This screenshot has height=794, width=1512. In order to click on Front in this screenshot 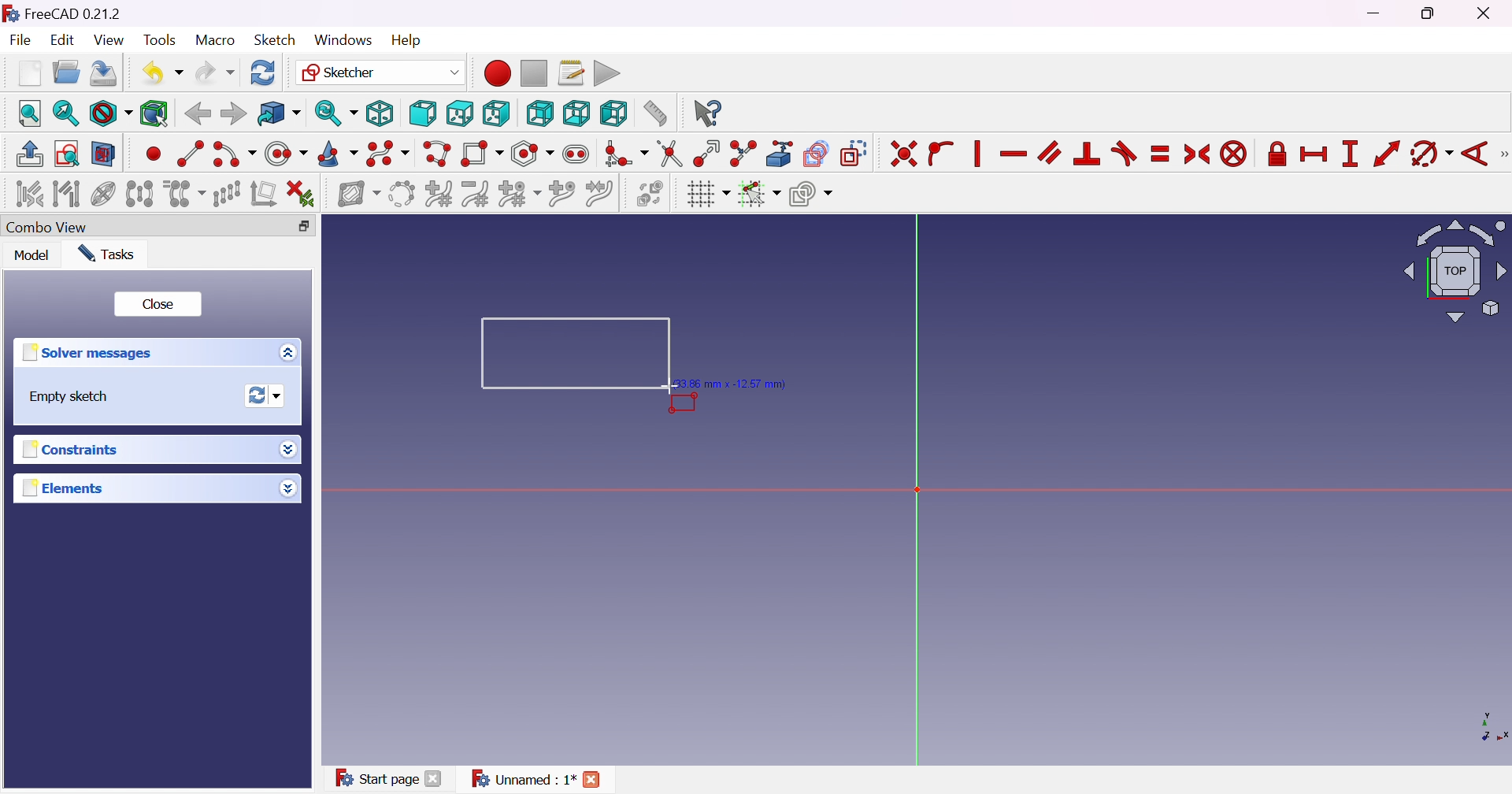, I will do `click(422, 114)`.